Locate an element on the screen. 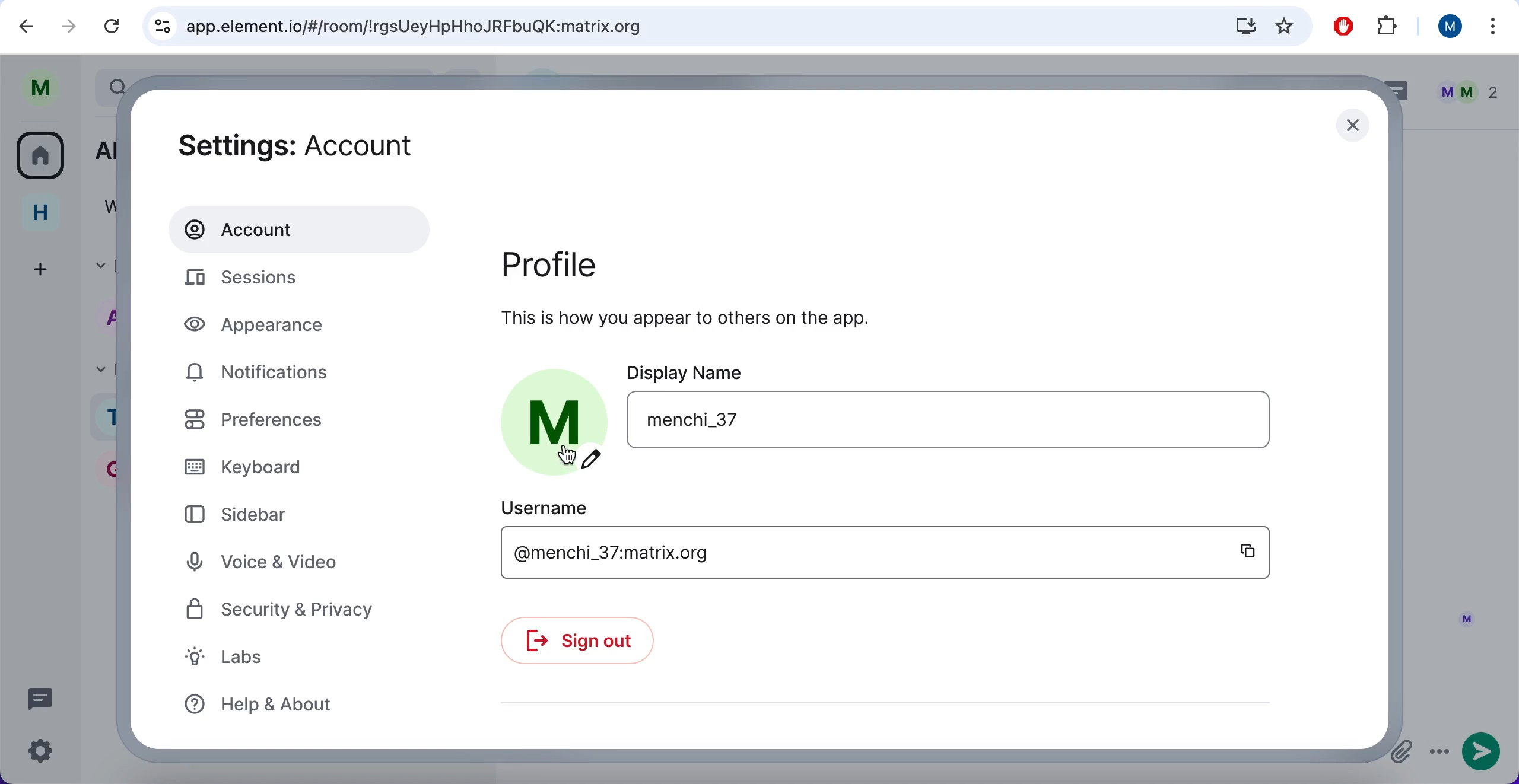 The image size is (1519, 784). security and privacy is located at coordinates (309, 613).